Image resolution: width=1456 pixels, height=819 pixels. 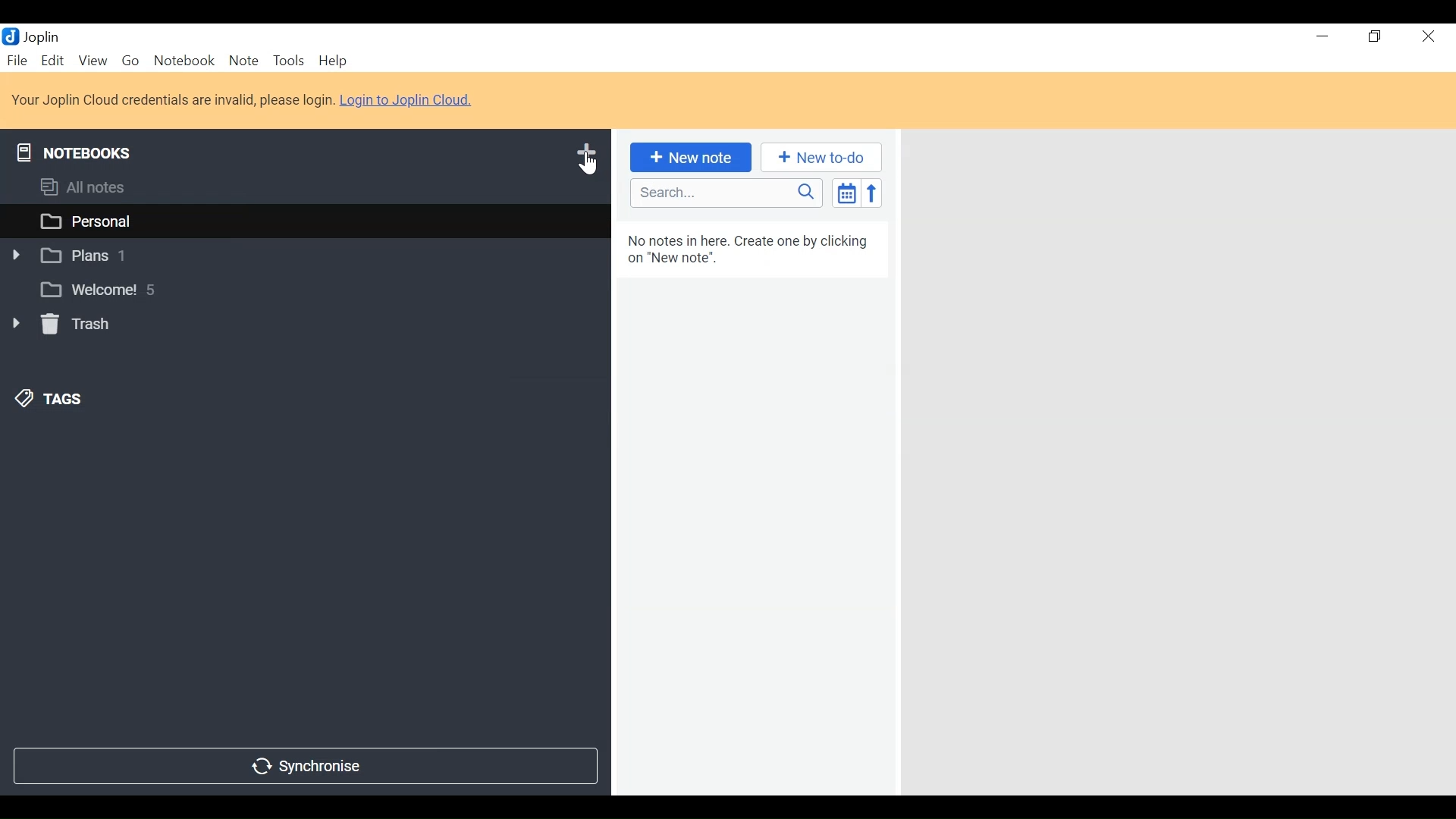 What do you see at coordinates (51, 60) in the screenshot?
I see `Edit` at bounding box center [51, 60].